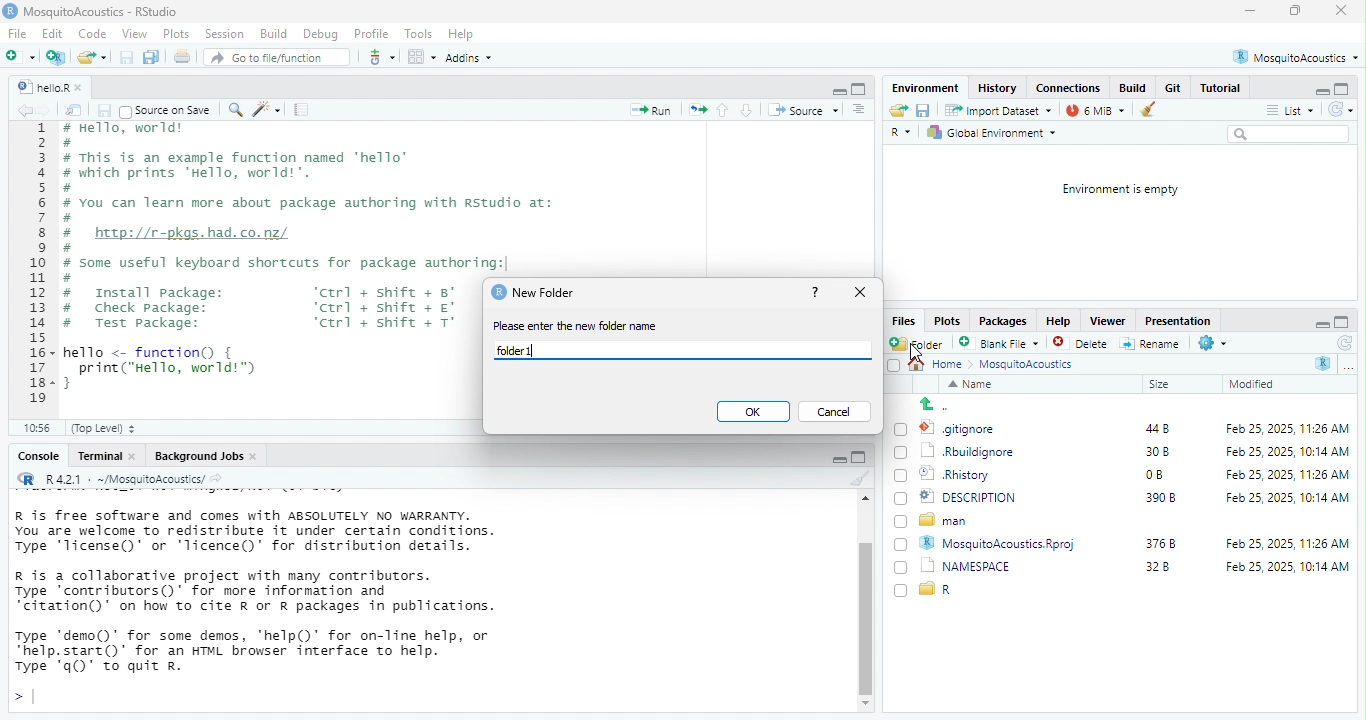 The image size is (1366, 720). Describe the element at coordinates (128, 57) in the screenshot. I see `save current document` at that location.